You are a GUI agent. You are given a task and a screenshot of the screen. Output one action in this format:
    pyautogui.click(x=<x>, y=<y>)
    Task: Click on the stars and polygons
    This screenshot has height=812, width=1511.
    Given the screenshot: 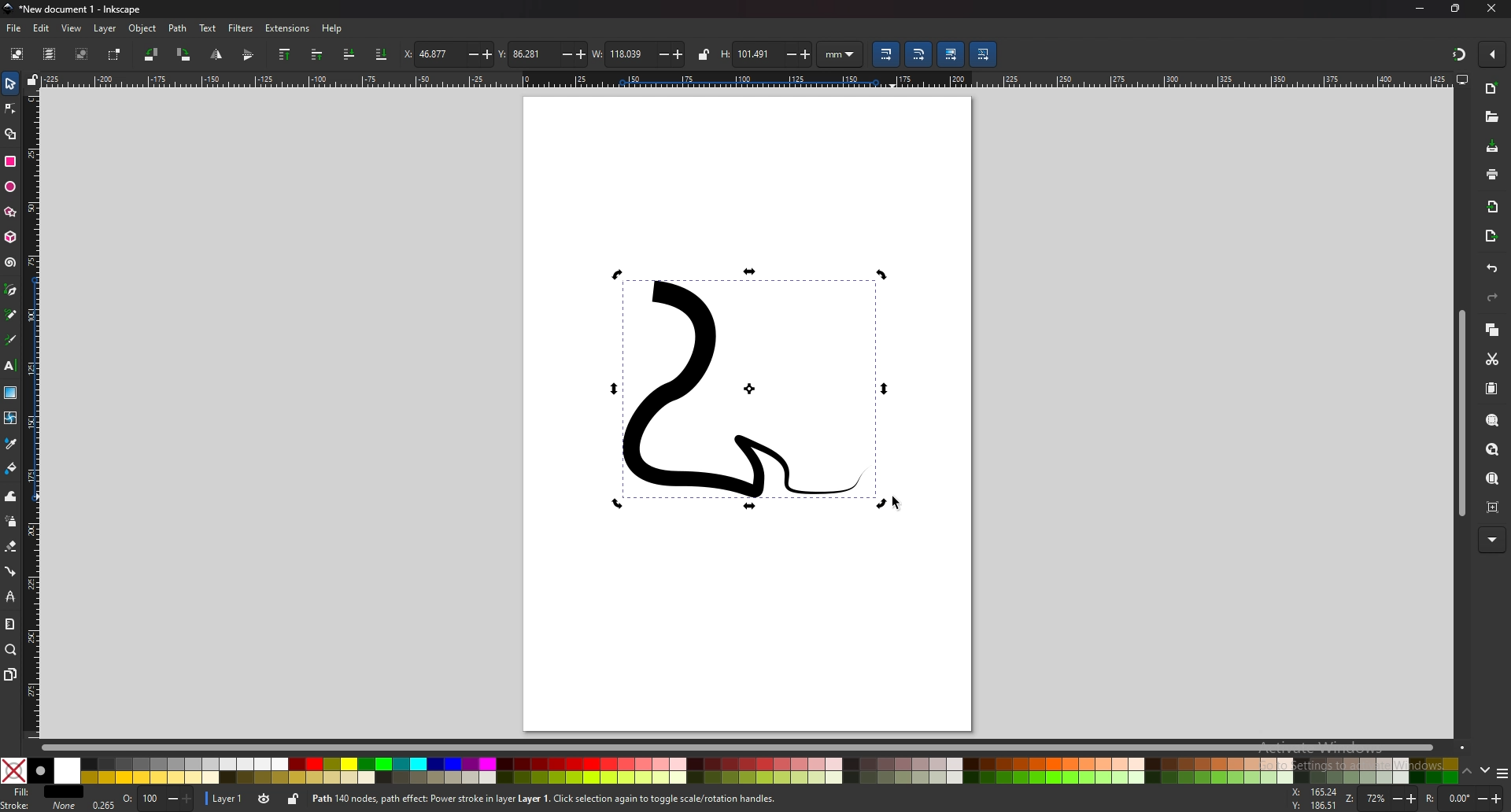 What is the action you would take?
    pyautogui.click(x=10, y=212)
    